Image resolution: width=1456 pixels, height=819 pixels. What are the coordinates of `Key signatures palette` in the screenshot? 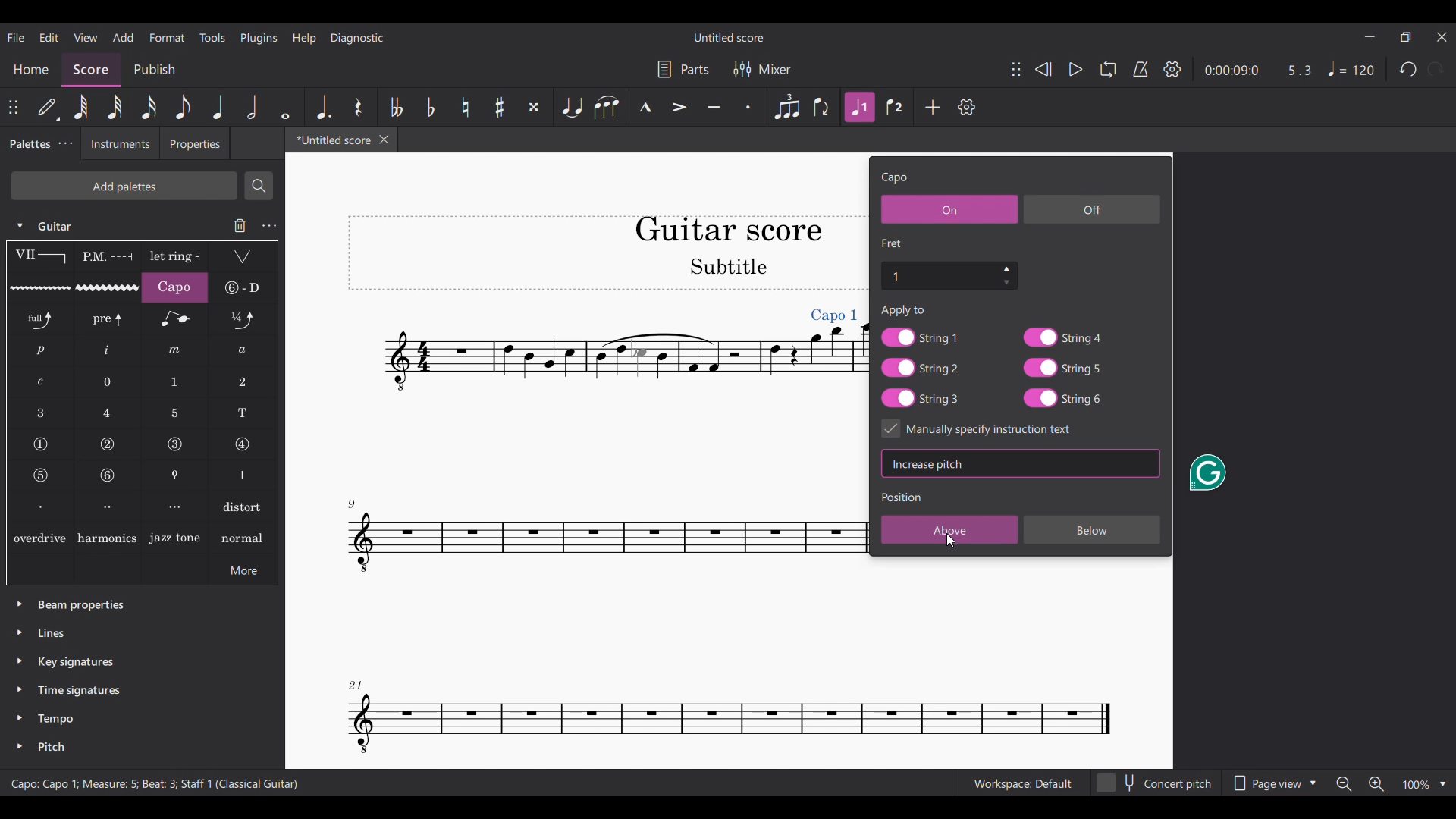 It's located at (76, 662).